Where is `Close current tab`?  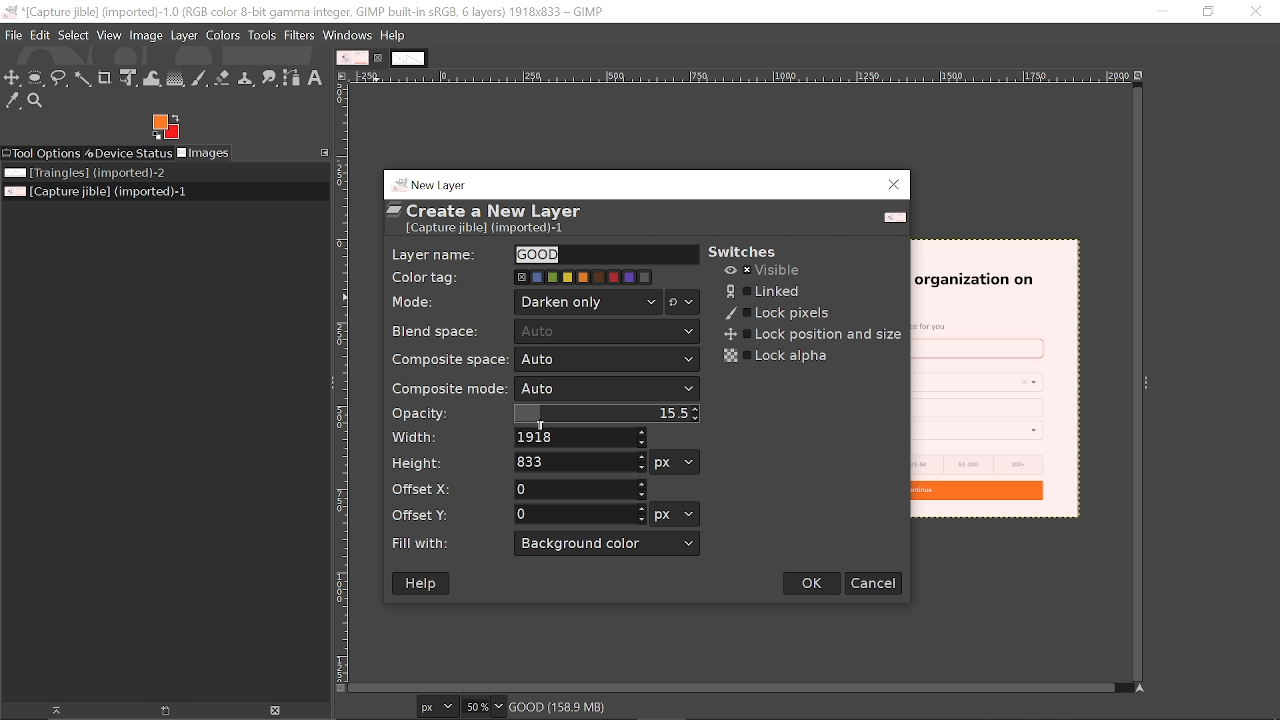 Close current tab is located at coordinates (381, 59).